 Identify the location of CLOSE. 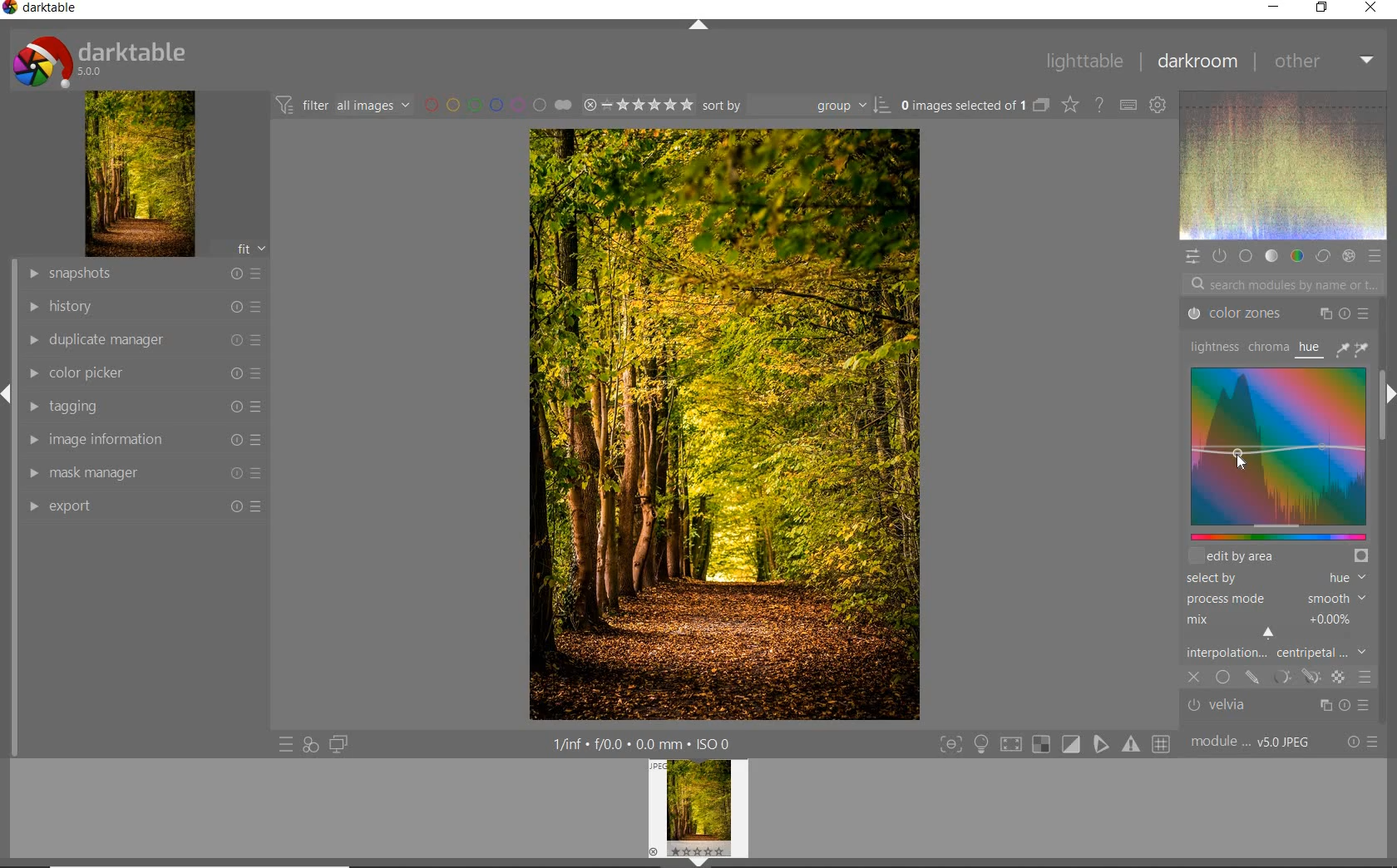
(1376, 8).